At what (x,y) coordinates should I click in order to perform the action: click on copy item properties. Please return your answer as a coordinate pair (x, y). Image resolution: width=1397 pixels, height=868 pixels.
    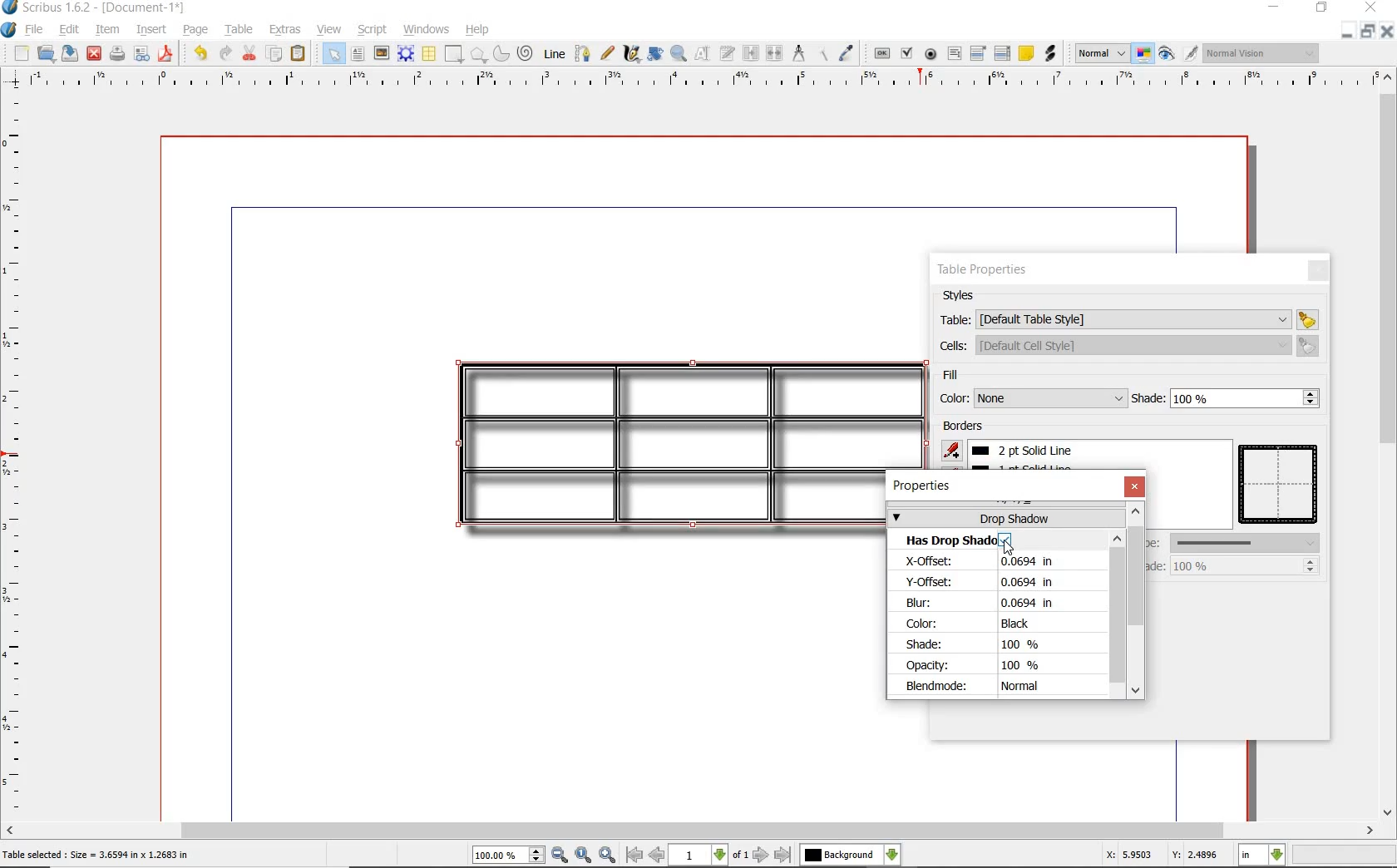
    Looking at the image, I should click on (827, 53).